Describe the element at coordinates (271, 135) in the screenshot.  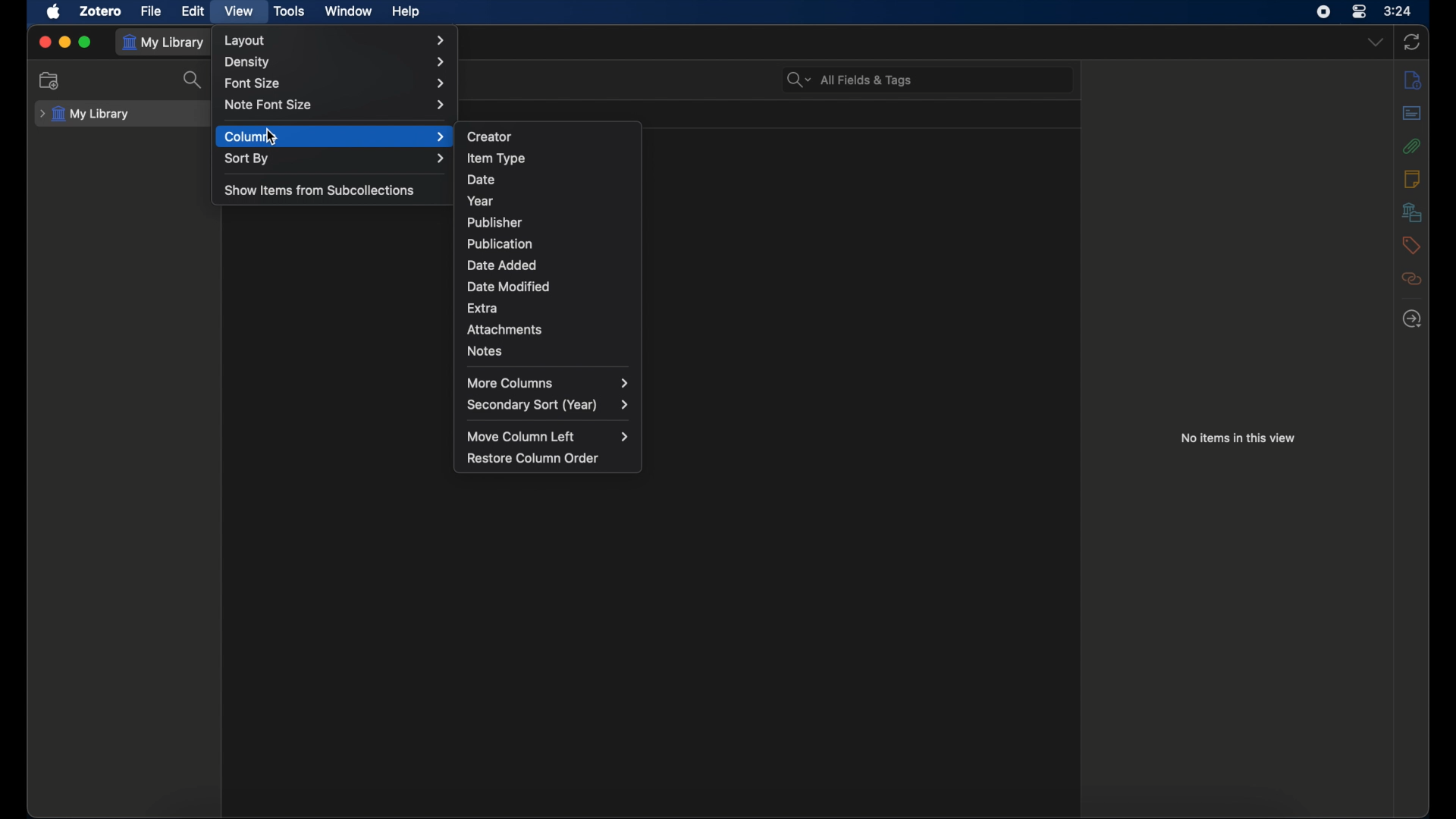
I see `Cursor` at that location.